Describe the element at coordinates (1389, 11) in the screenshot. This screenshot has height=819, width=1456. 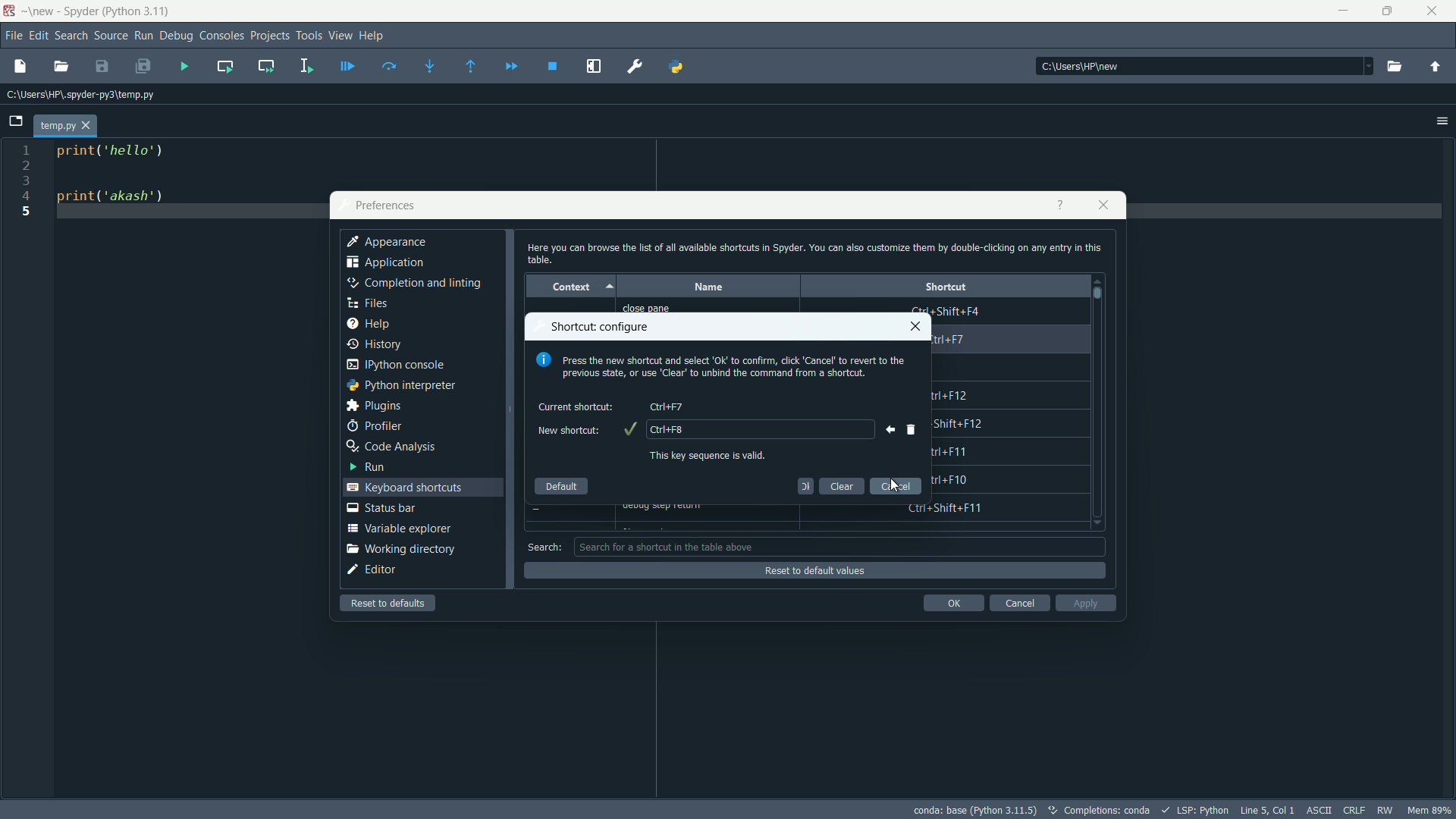
I see `maximize` at that location.